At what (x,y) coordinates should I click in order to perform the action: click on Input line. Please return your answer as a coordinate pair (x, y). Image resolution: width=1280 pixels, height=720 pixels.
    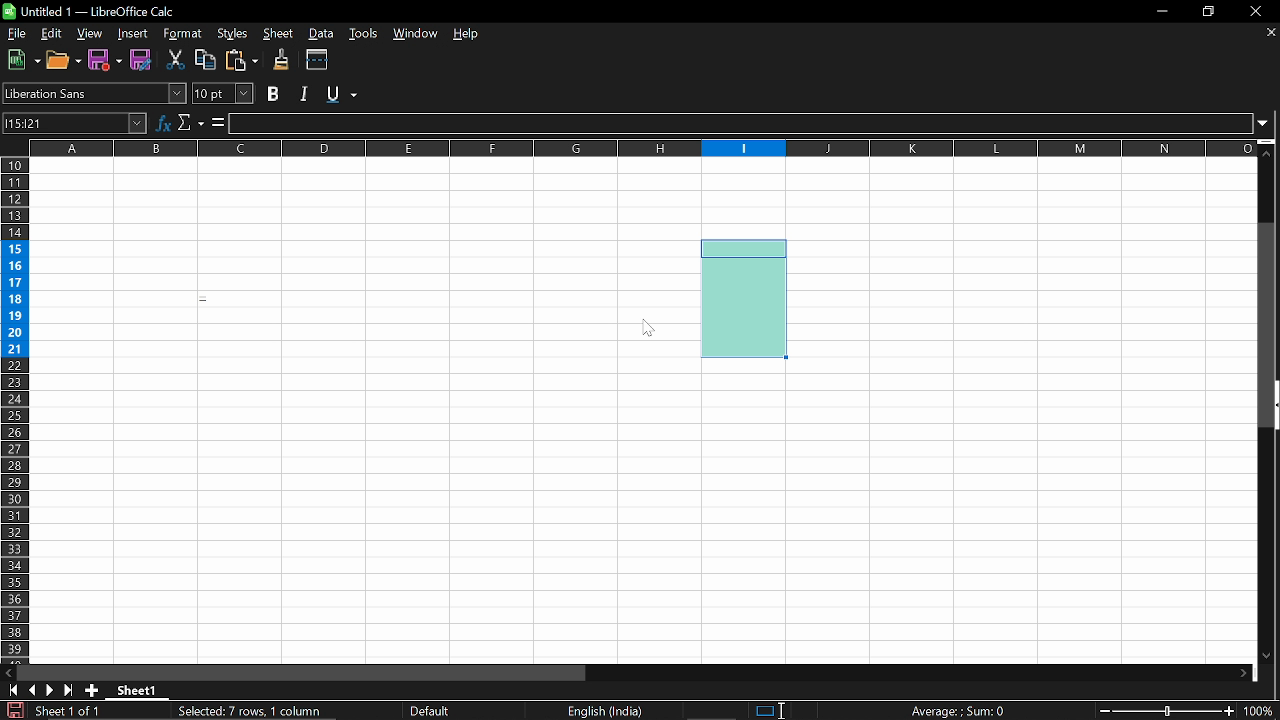
    Looking at the image, I should click on (742, 124).